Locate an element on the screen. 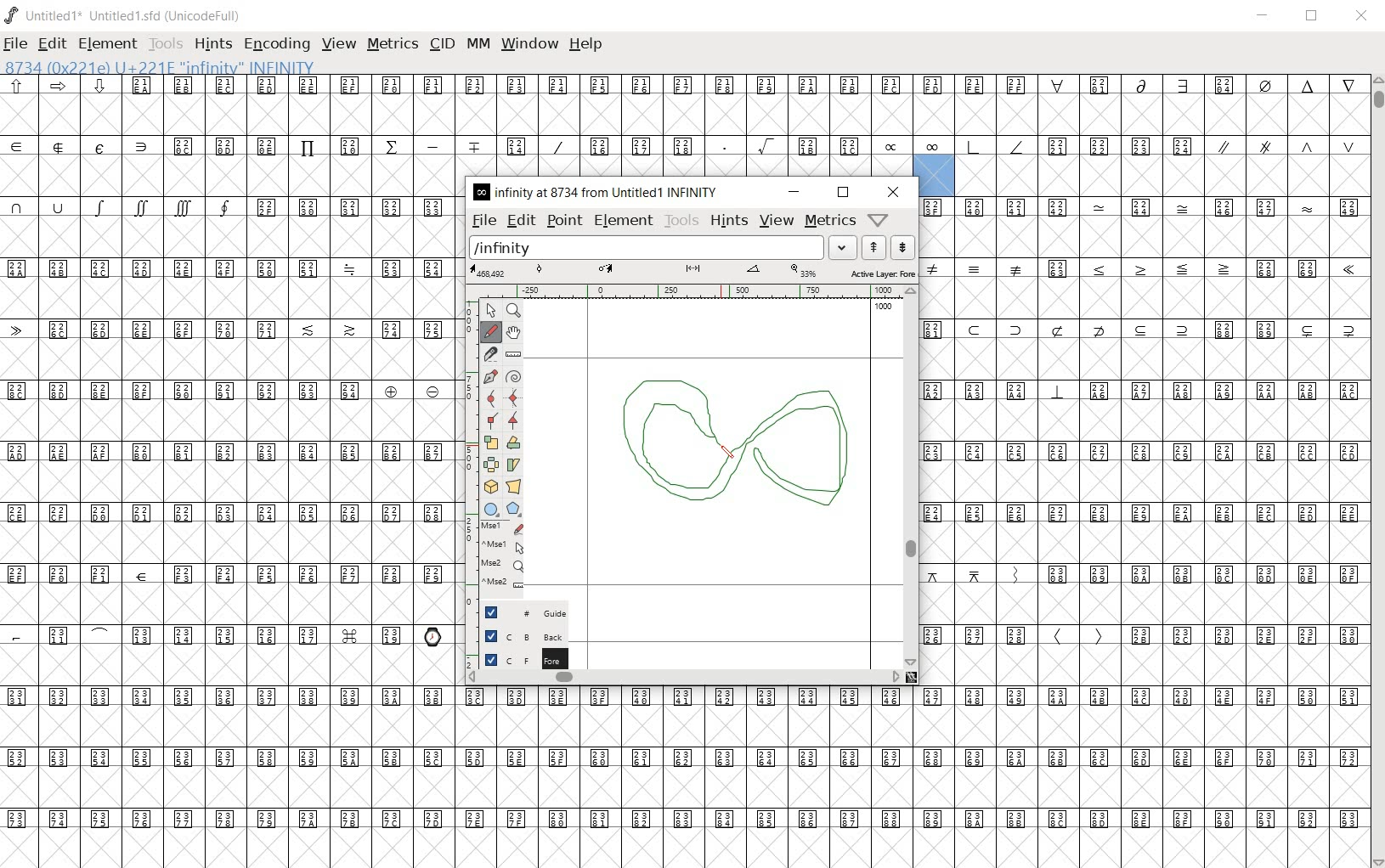  metrics is located at coordinates (829, 221).